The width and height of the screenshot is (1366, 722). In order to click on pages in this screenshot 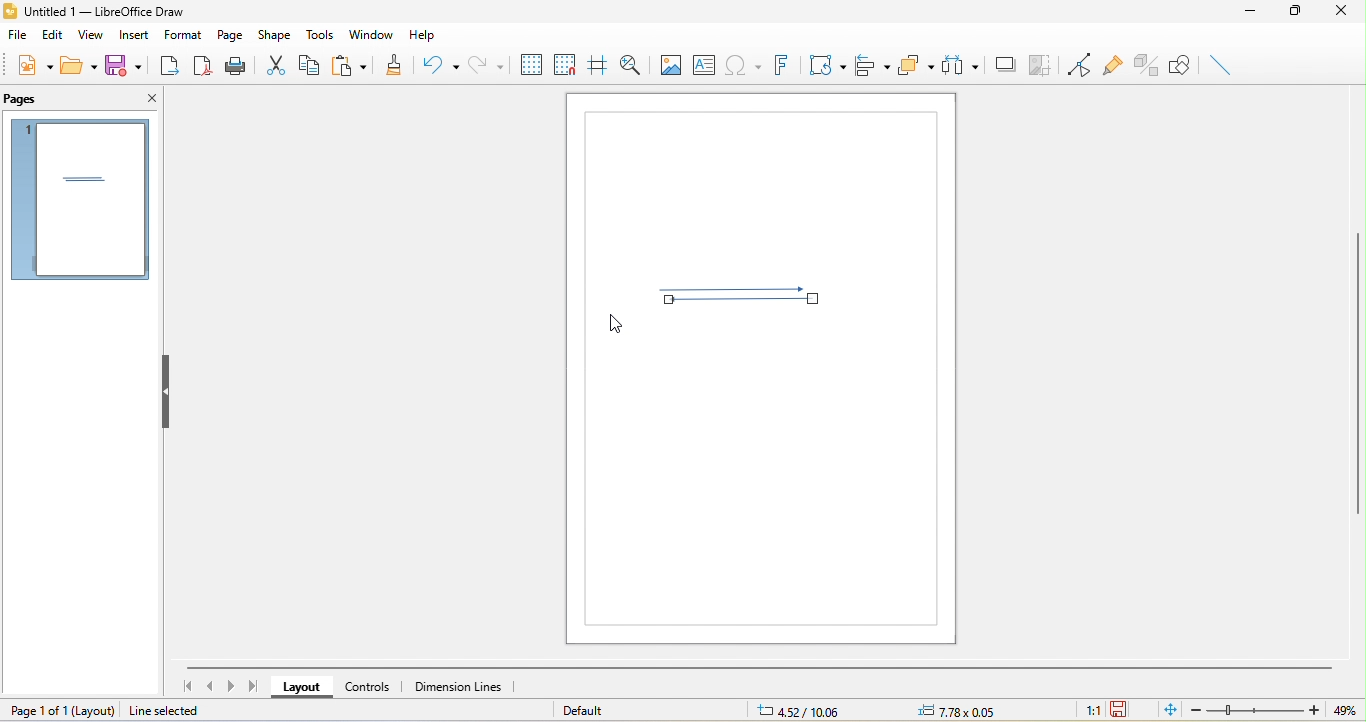, I will do `click(79, 200)`.